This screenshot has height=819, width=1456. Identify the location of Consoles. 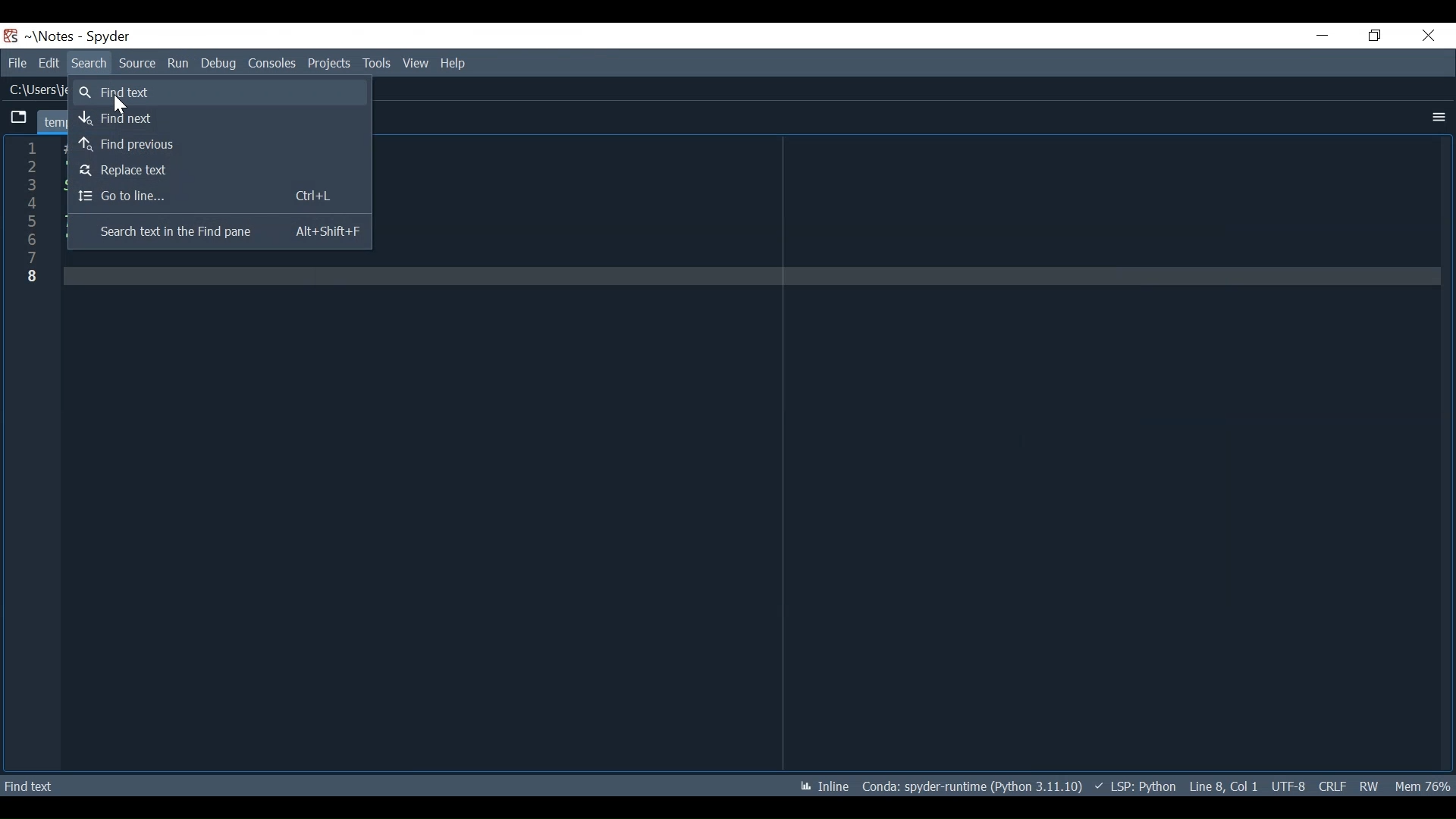
(271, 64).